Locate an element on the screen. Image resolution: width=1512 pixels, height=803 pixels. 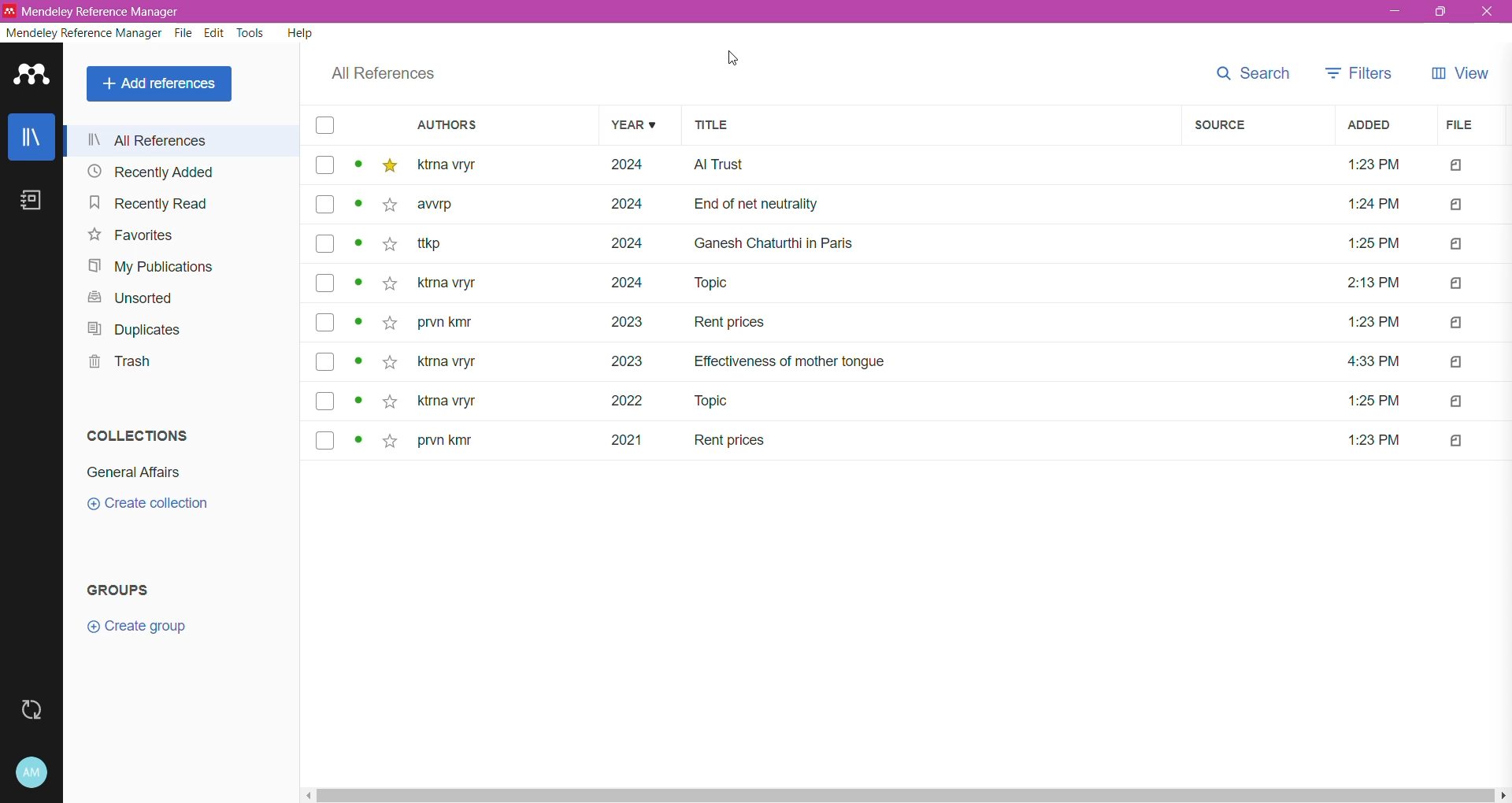
Group is located at coordinates (115, 589).